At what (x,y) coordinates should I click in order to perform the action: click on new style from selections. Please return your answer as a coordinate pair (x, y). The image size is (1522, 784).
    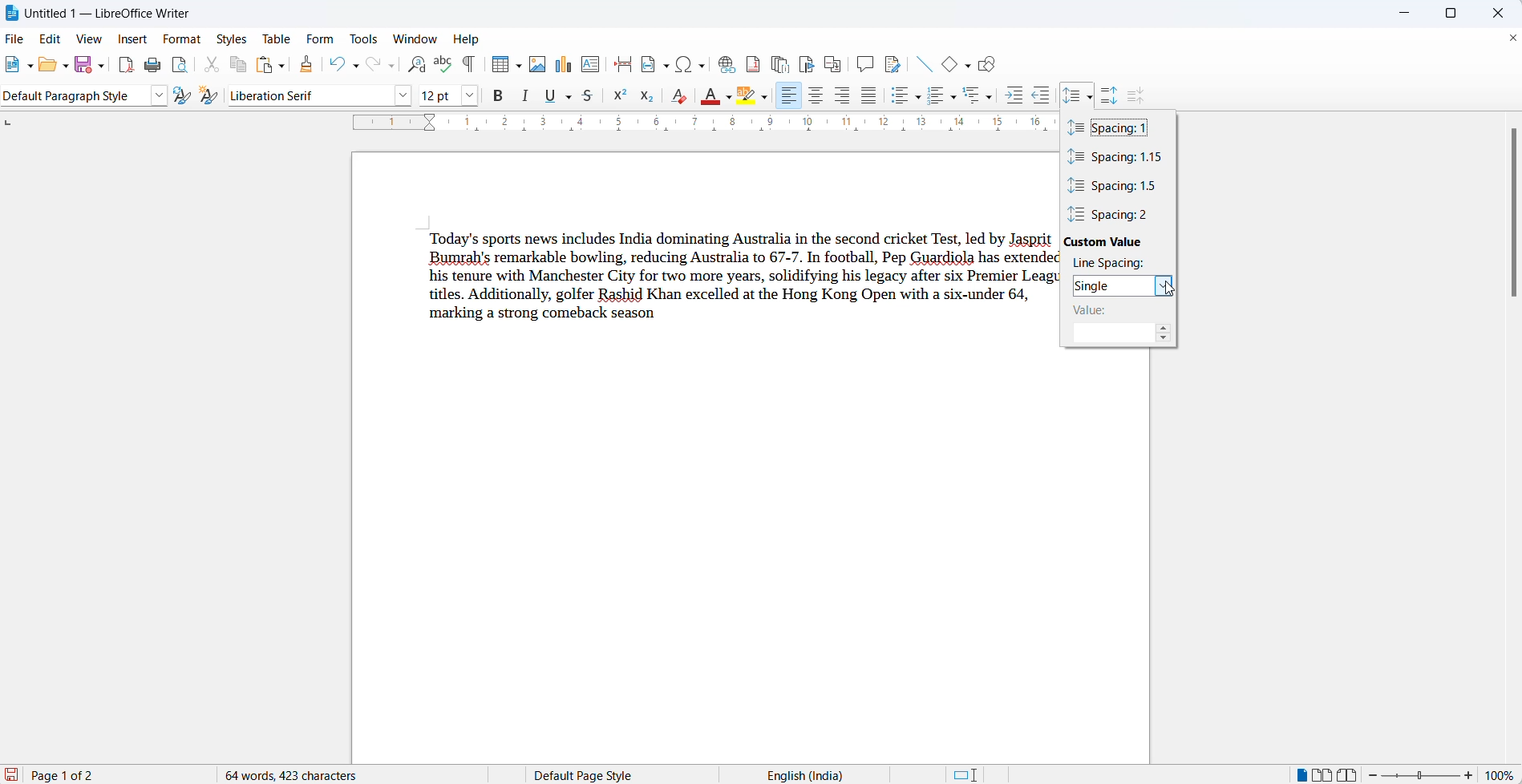
    Looking at the image, I should click on (209, 95).